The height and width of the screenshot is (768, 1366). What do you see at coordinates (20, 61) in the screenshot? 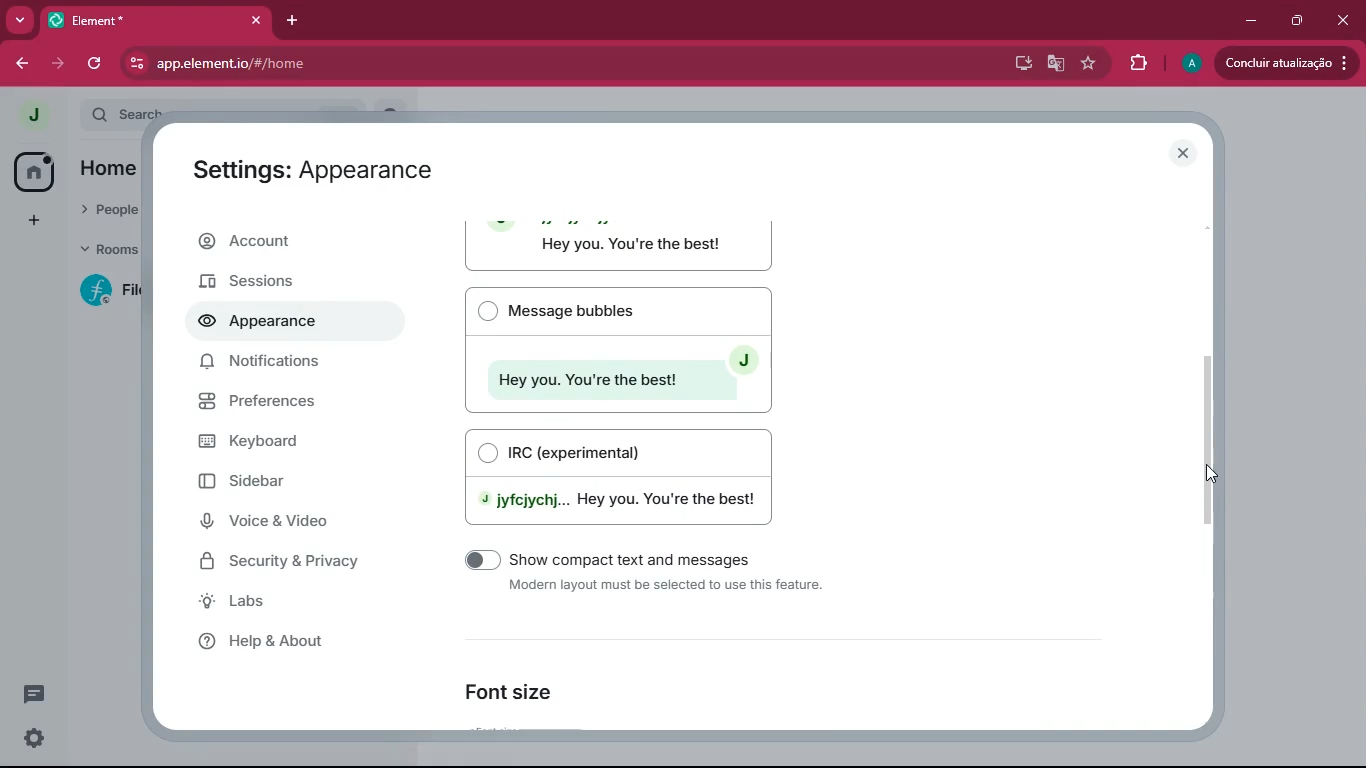
I see `back` at bounding box center [20, 61].